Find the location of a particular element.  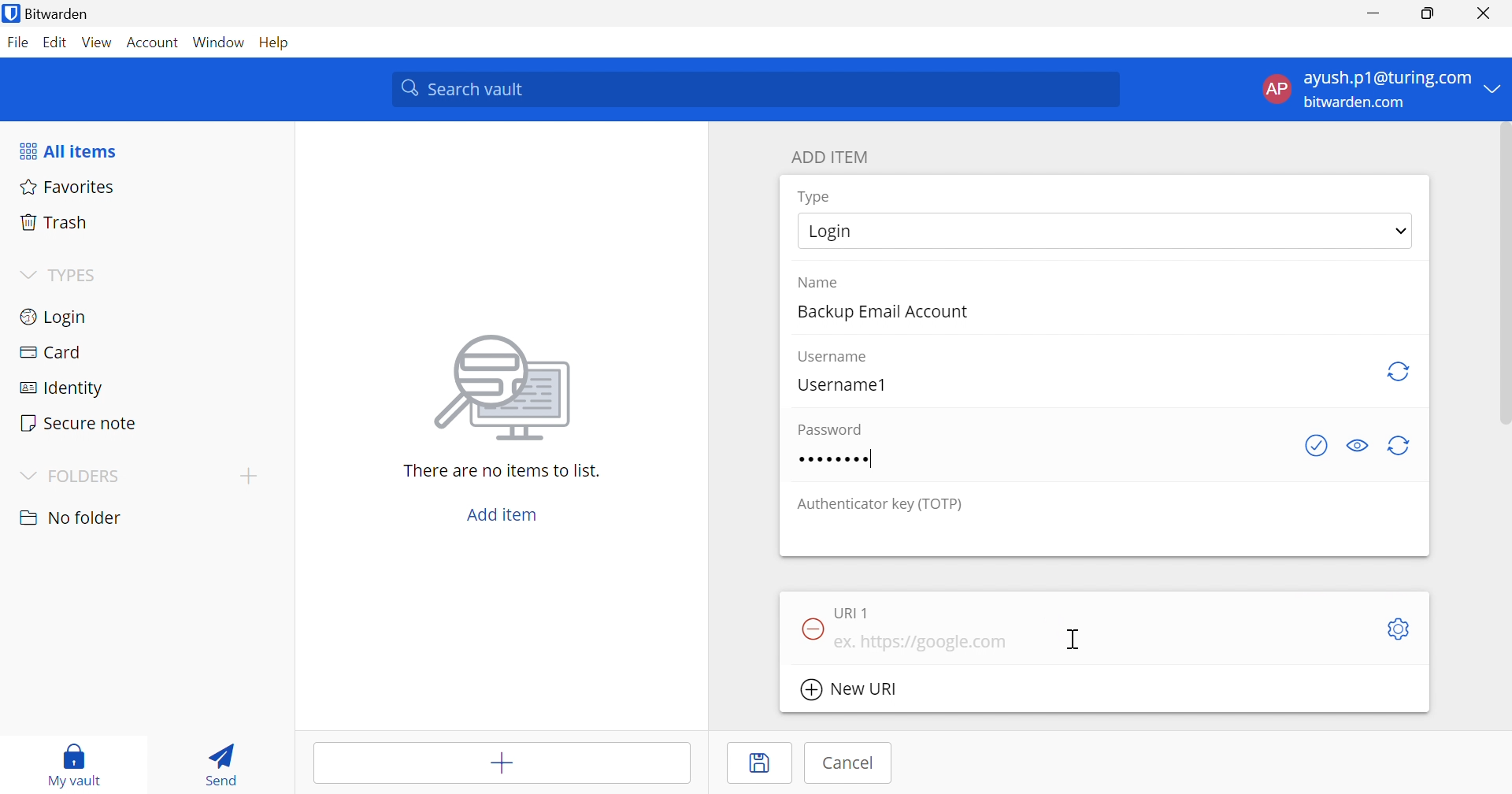

Password is located at coordinates (830, 427).